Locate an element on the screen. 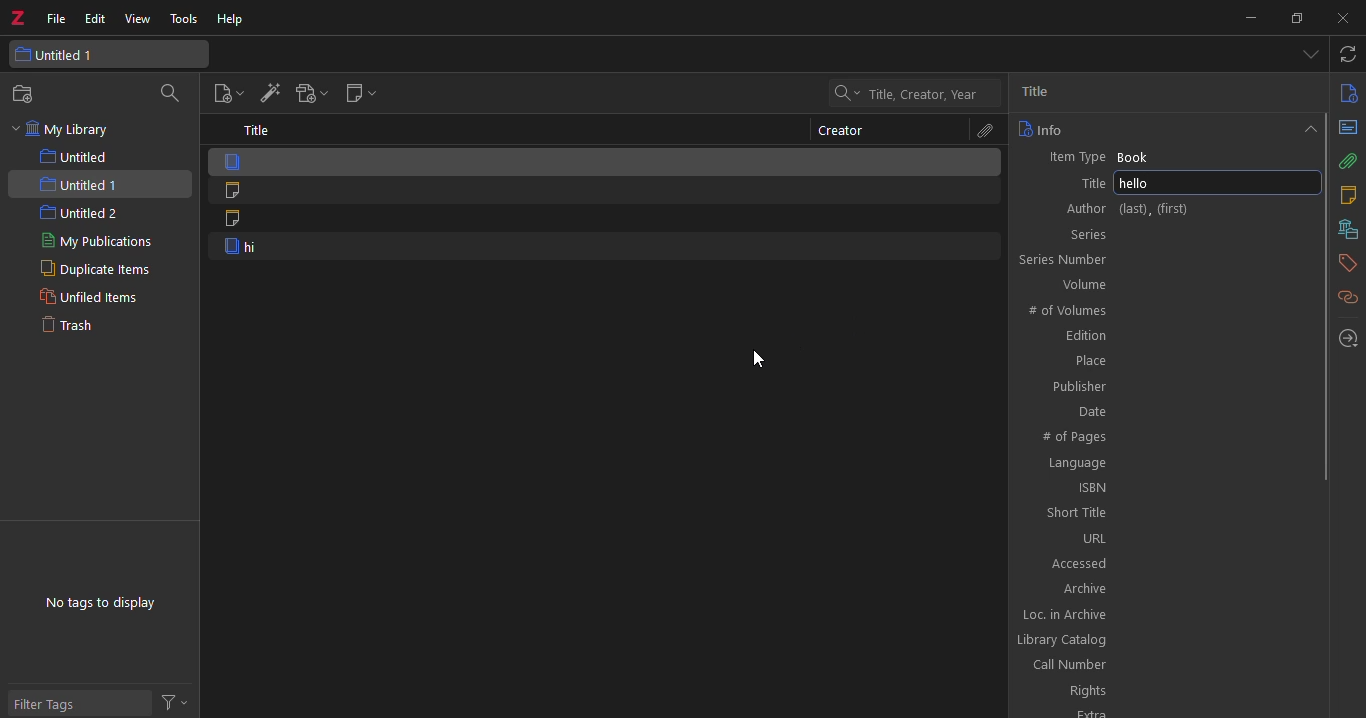  Title: hello is located at coordinates (1161, 183).